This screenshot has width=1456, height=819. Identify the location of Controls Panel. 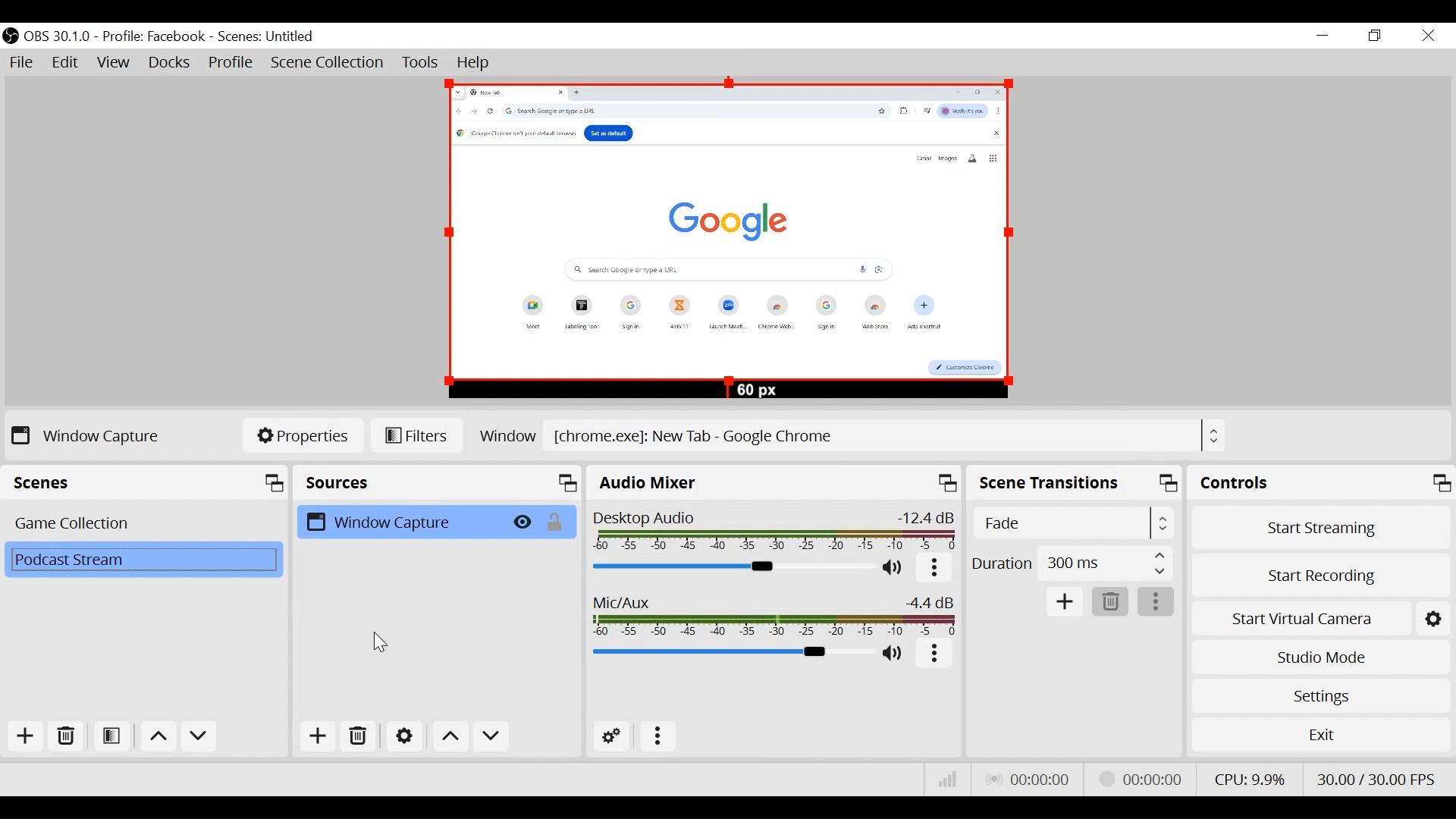
(1321, 483).